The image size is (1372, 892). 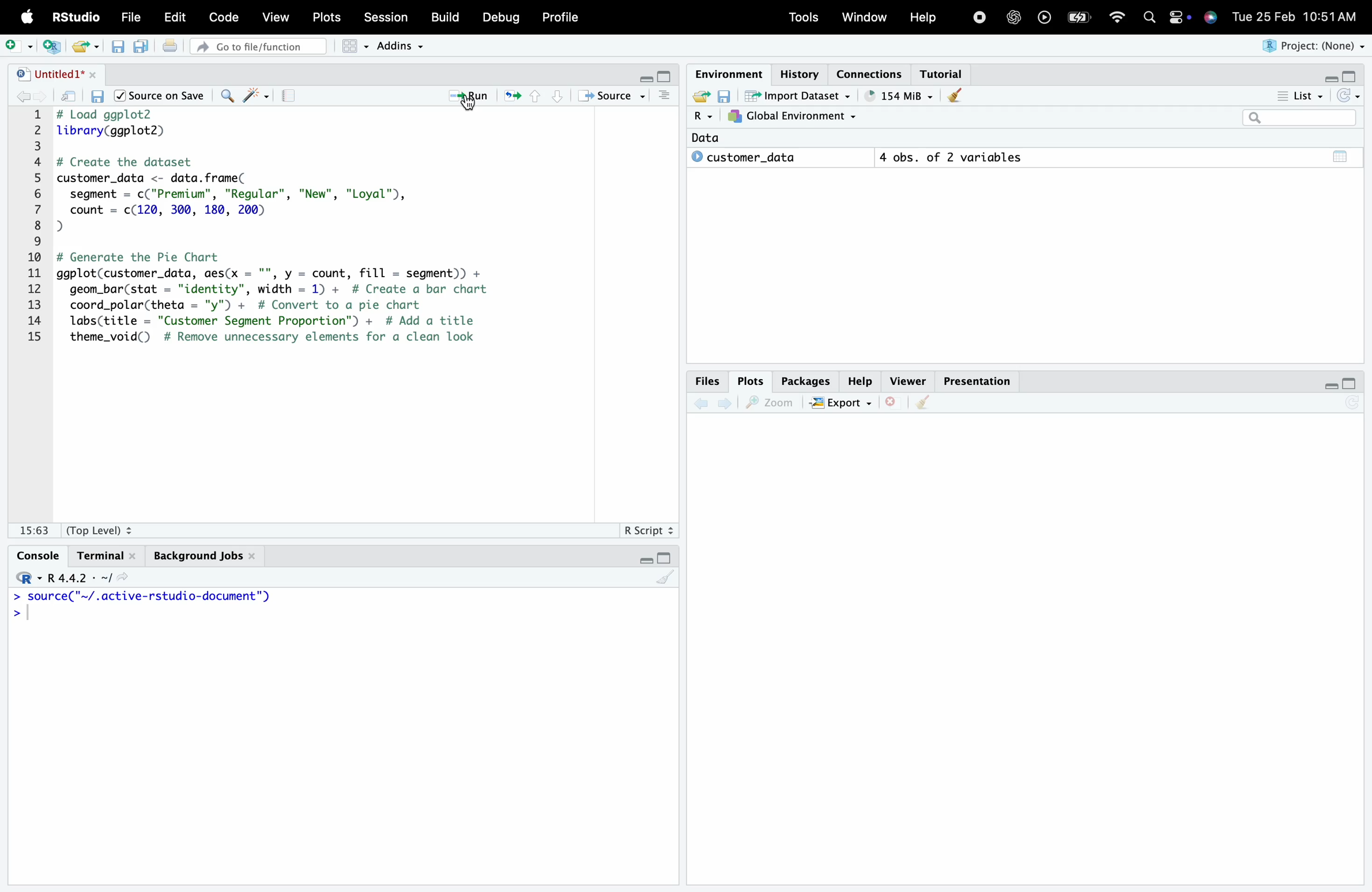 I want to click on Terminal, so click(x=105, y=552).